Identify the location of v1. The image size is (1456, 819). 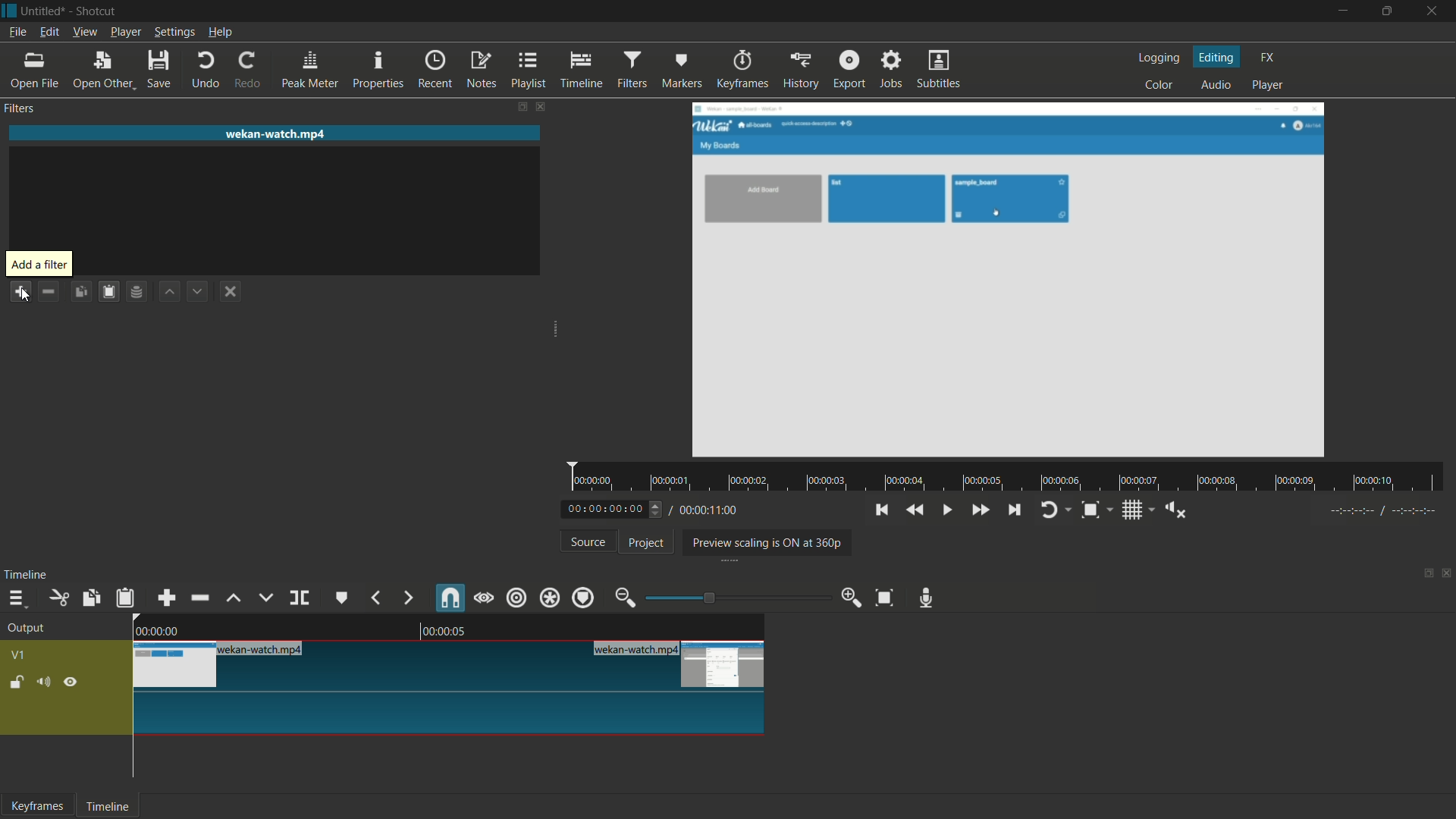
(19, 655).